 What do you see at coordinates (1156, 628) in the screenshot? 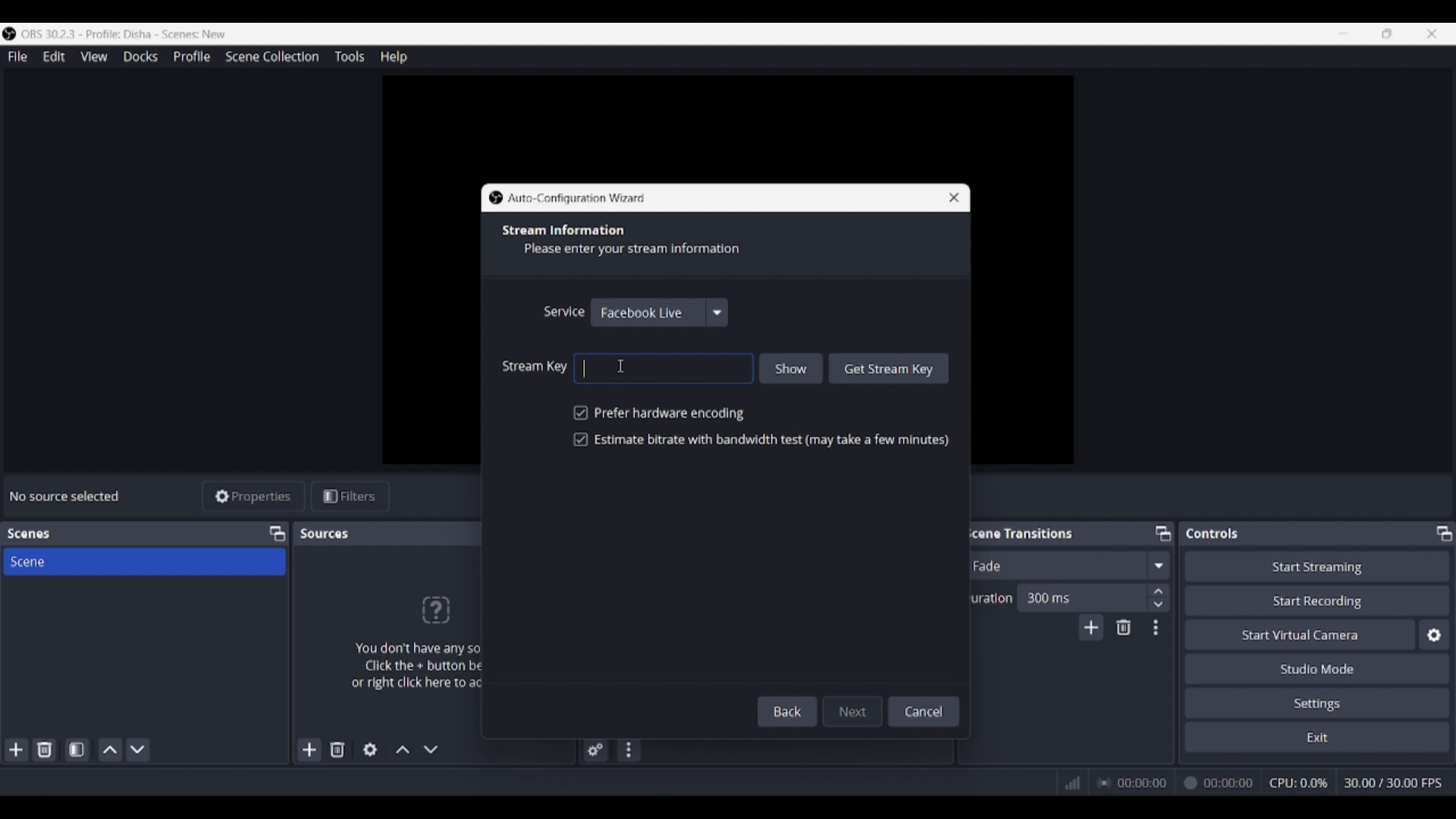
I see `Transition properties` at bounding box center [1156, 628].